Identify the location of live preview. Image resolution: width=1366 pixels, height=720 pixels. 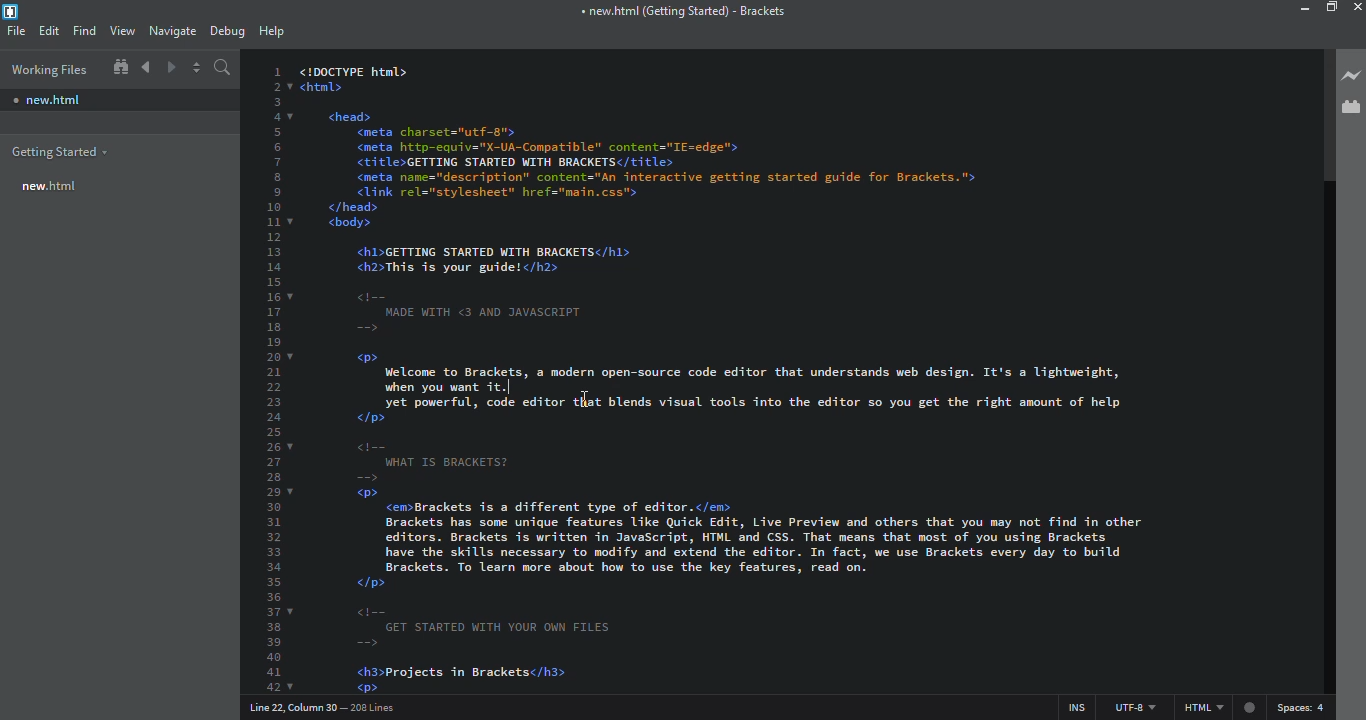
(1352, 74).